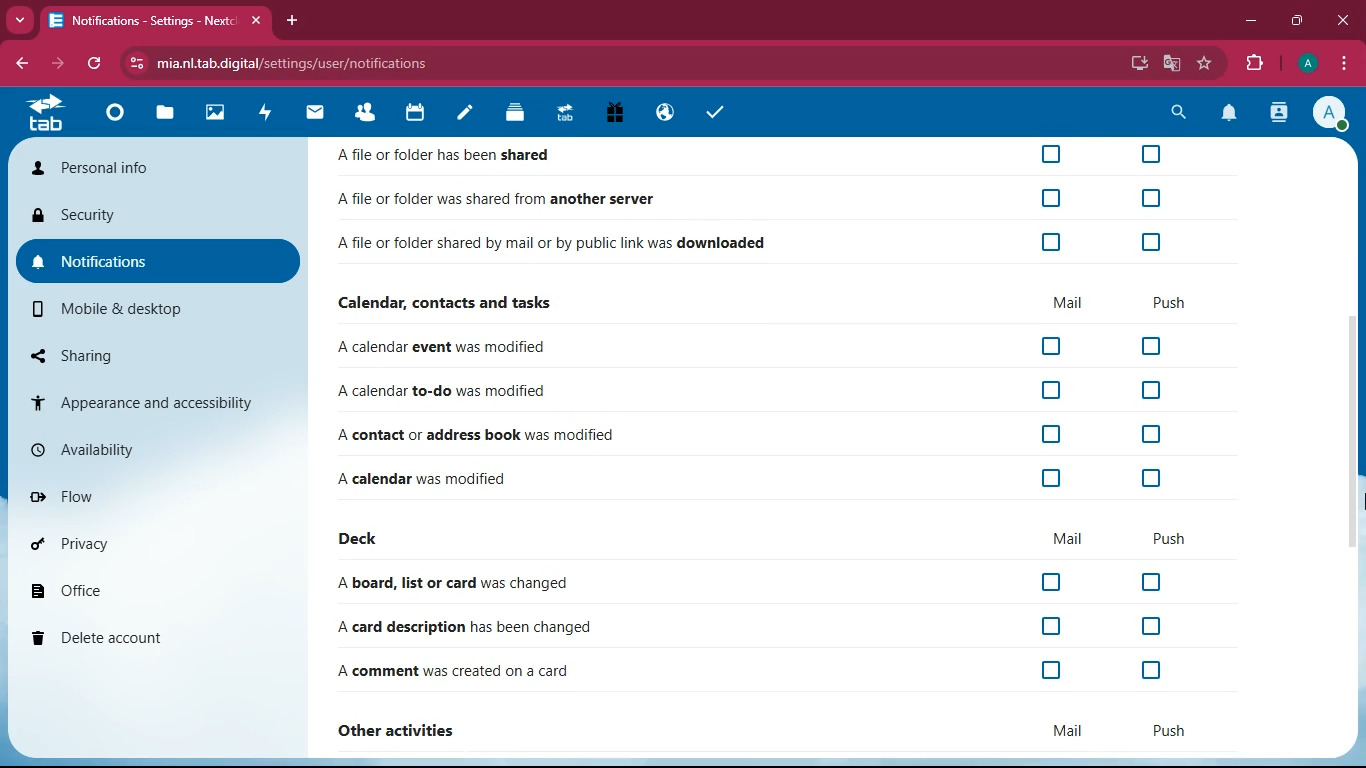 This screenshot has width=1366, height=768. What do you see at coordinates (1151, 391) in the screenshot?
I see `off` at bounding box center [1151, 391].